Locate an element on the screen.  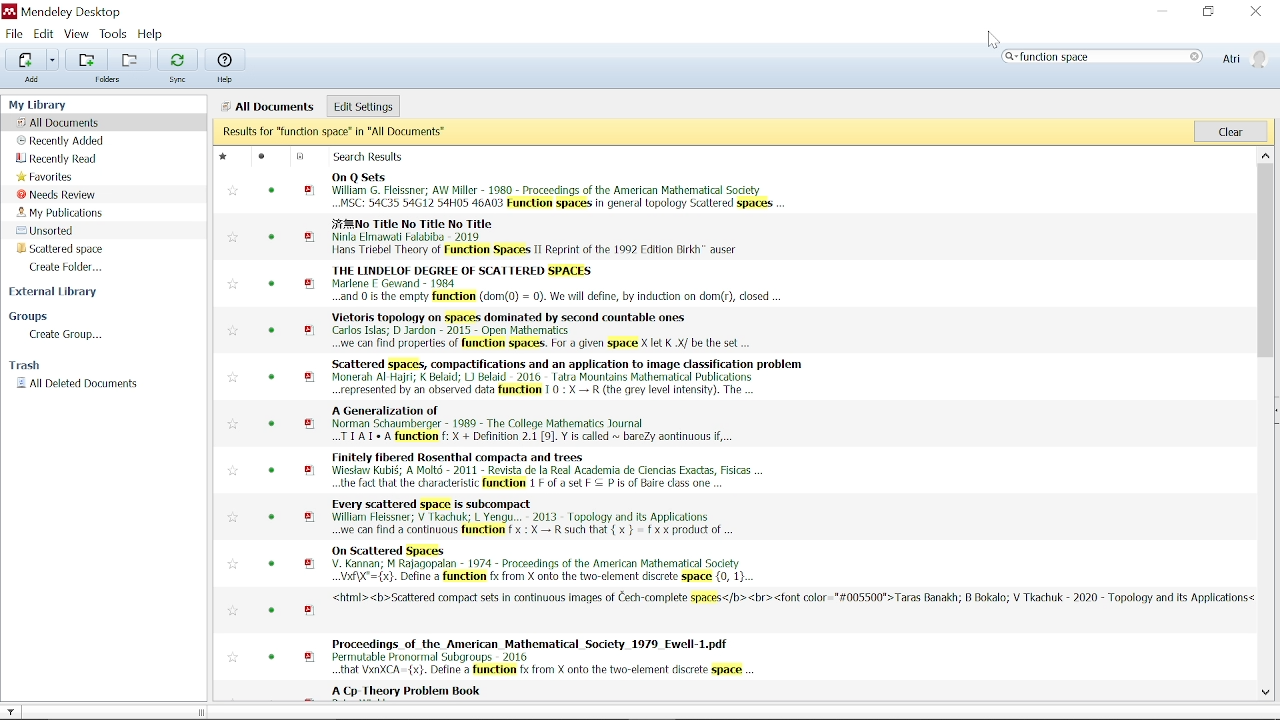
Add to favorite is located at coordinates (232, 425).